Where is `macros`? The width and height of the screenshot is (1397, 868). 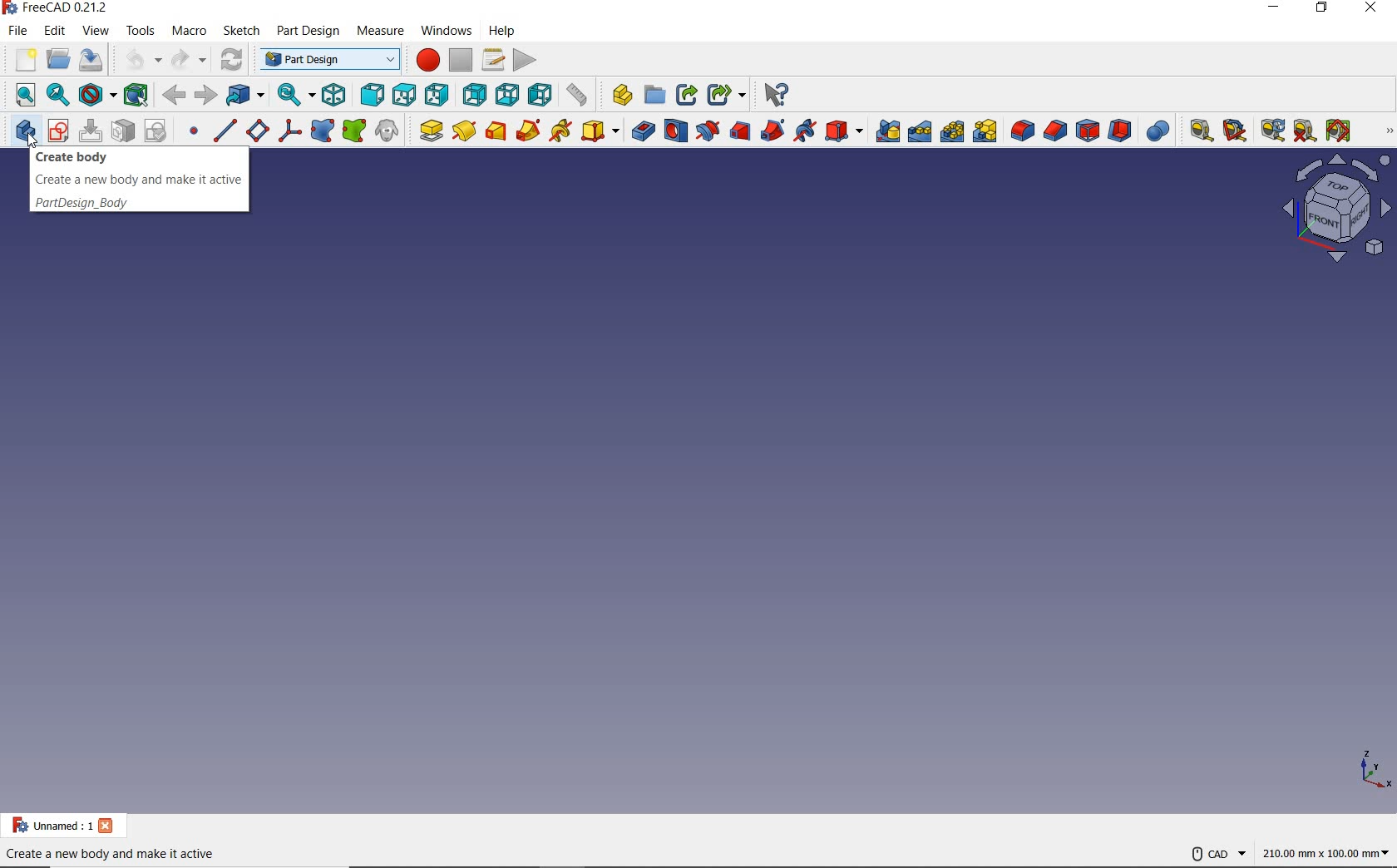
macros is located at coordinates (491, 61).